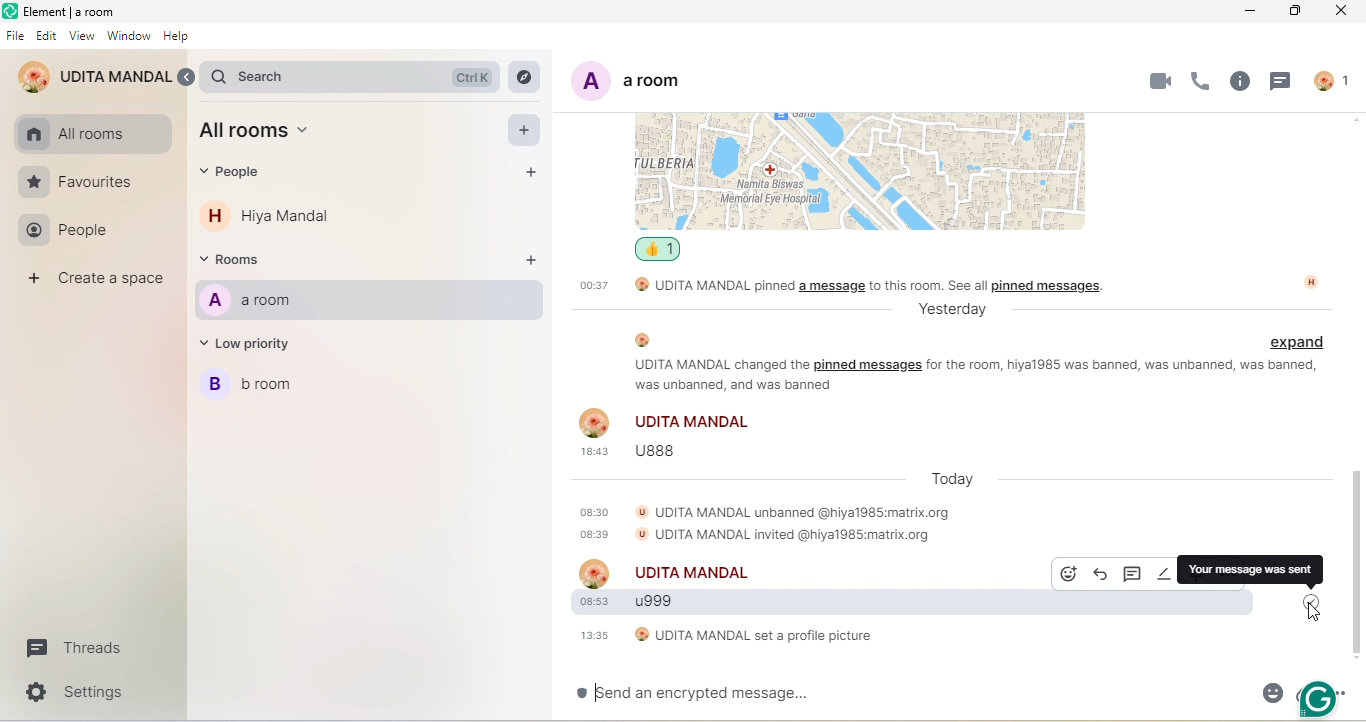  Describe the element at coordinates (269, 132) in the screenshot. I see `All rooms ` at that location.